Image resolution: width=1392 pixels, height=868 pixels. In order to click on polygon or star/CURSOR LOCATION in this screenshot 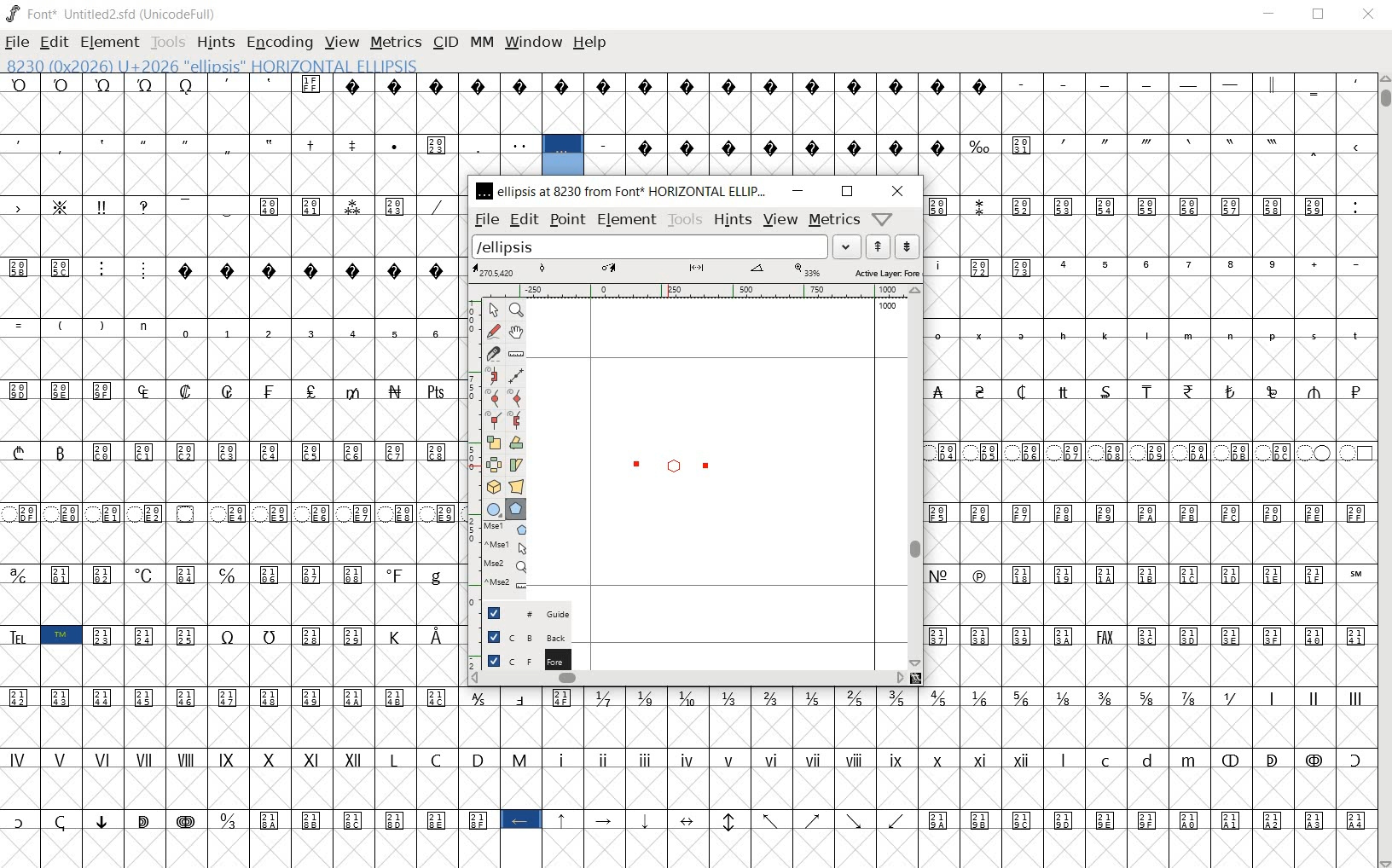, I will do `click(674, 466)`.